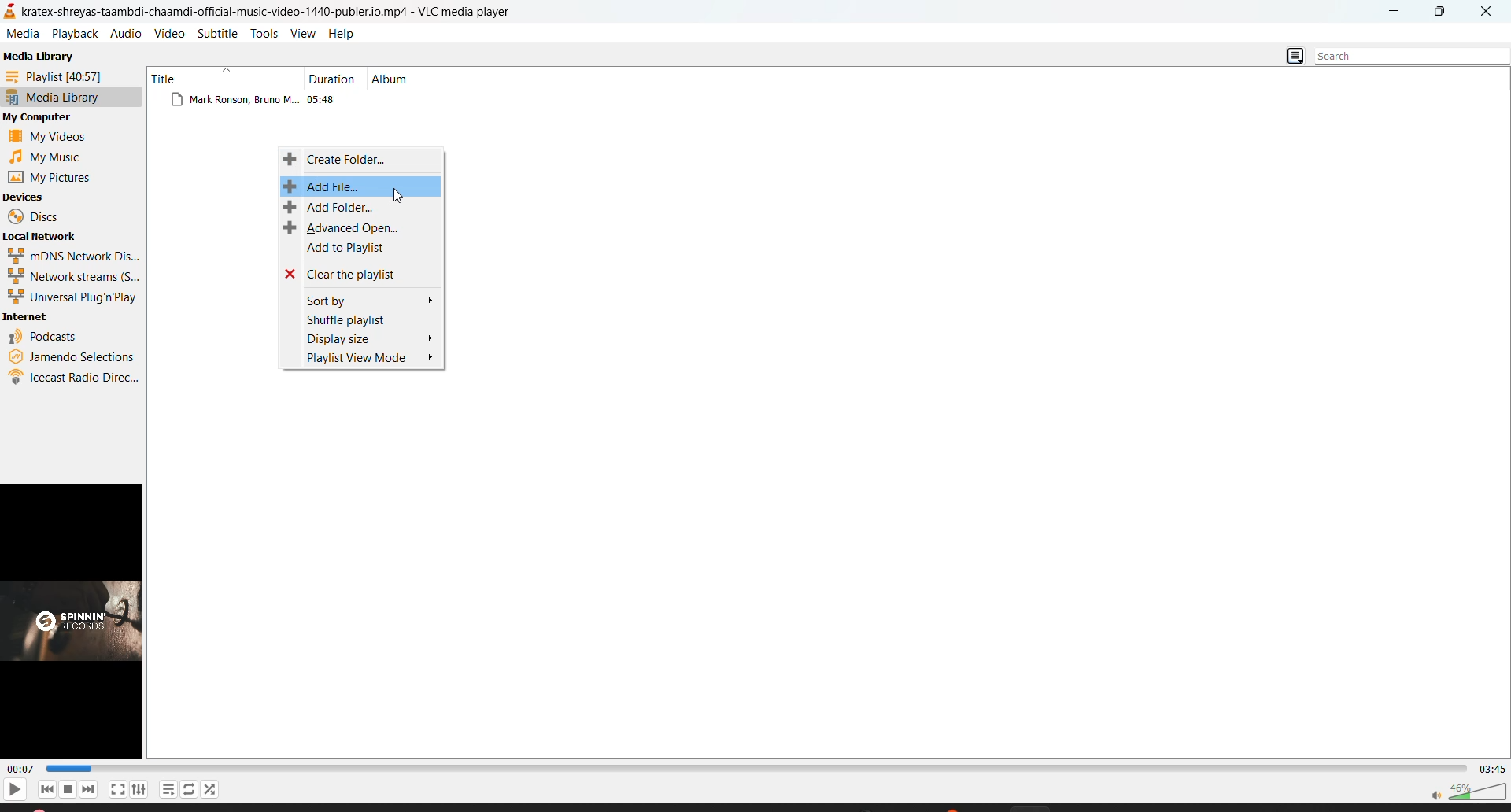 The width and height of the screenshot is (1511, 812). I want to click on thumbnail/preview, so click(76, 622).